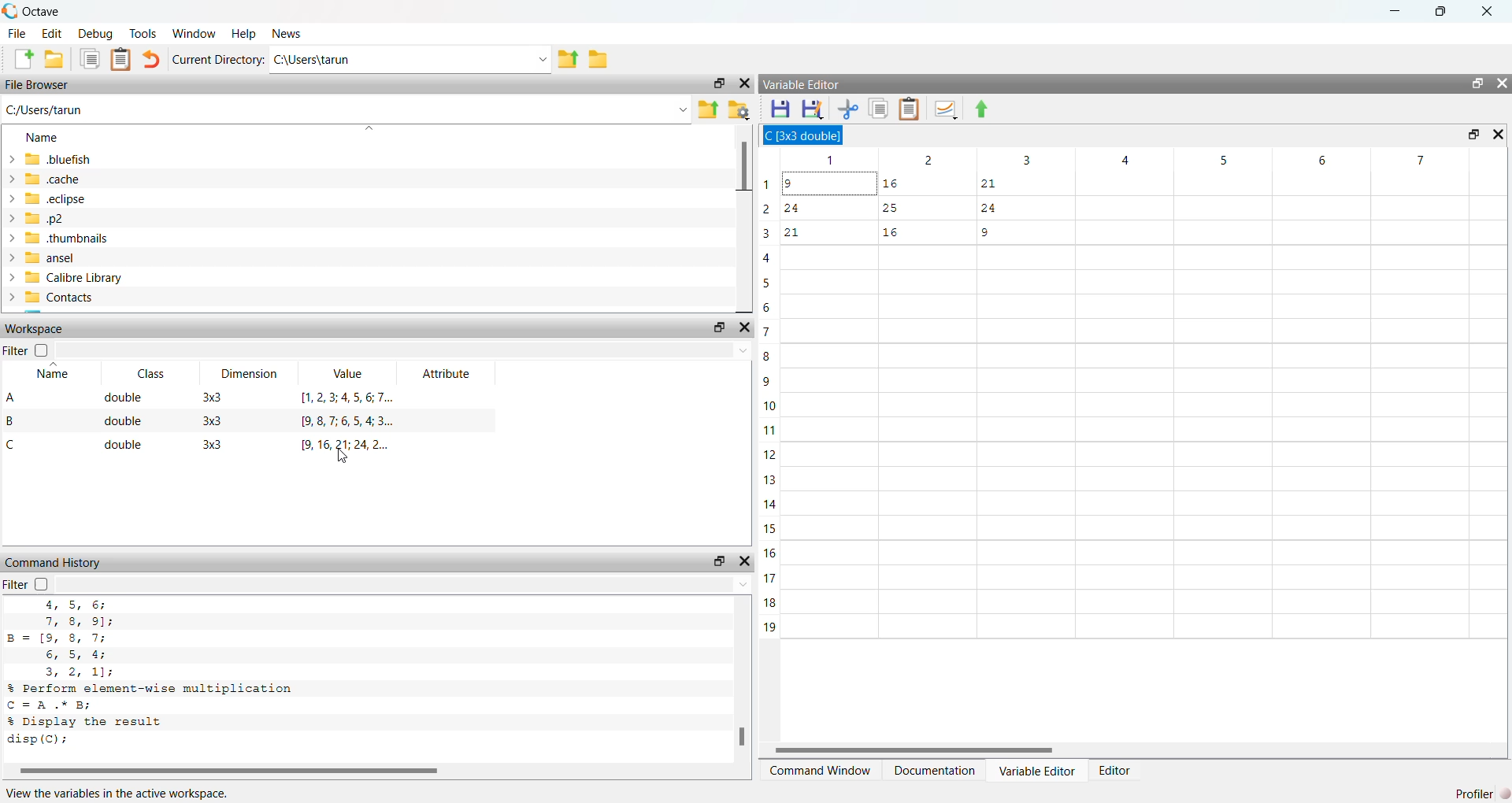  What do you see at coordinates (220, 61) in the screenshot?
I see `Current Directory:` at bounding box center [220, 61].